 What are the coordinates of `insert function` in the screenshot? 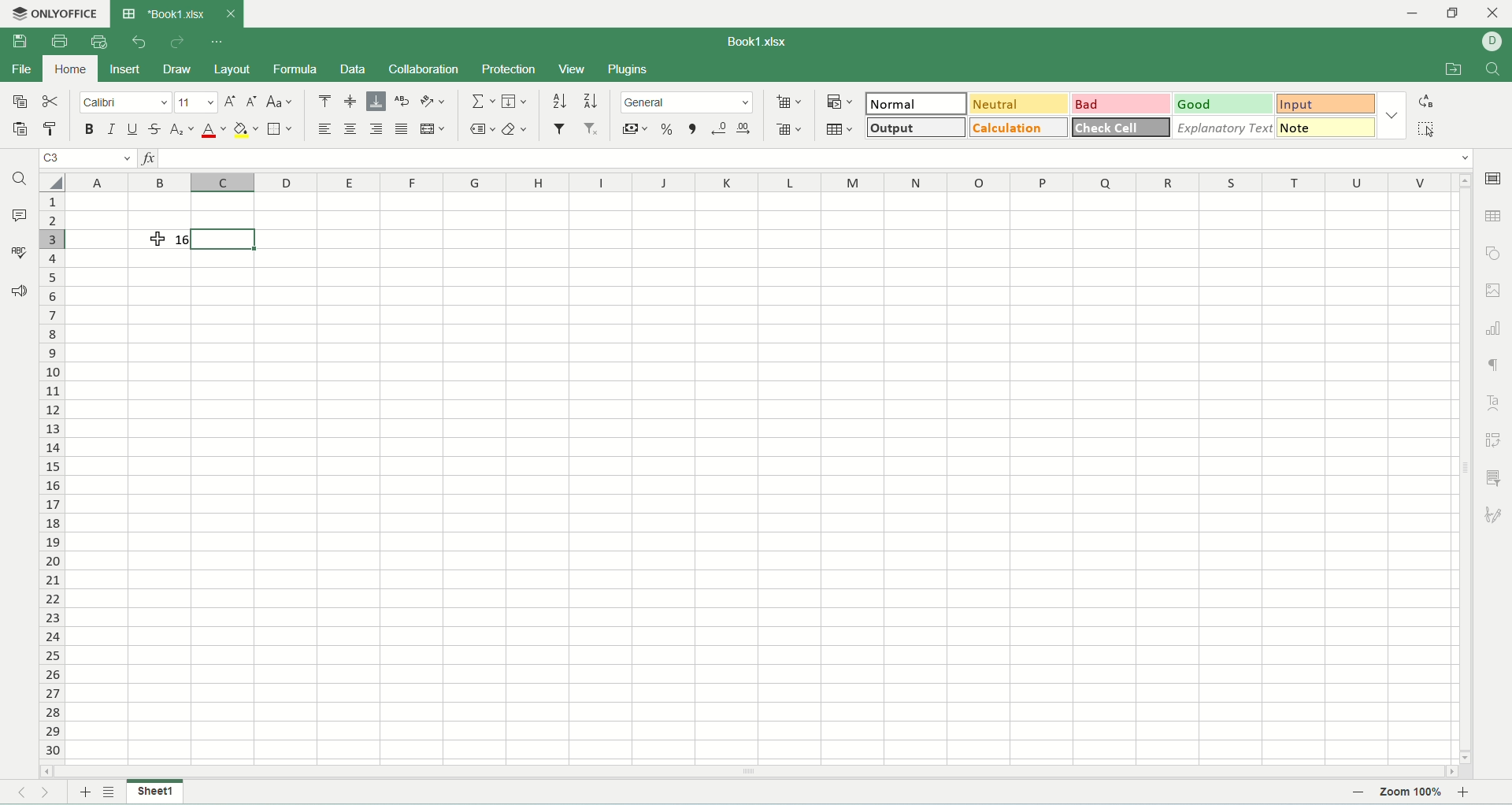 It's located at (146, 157).